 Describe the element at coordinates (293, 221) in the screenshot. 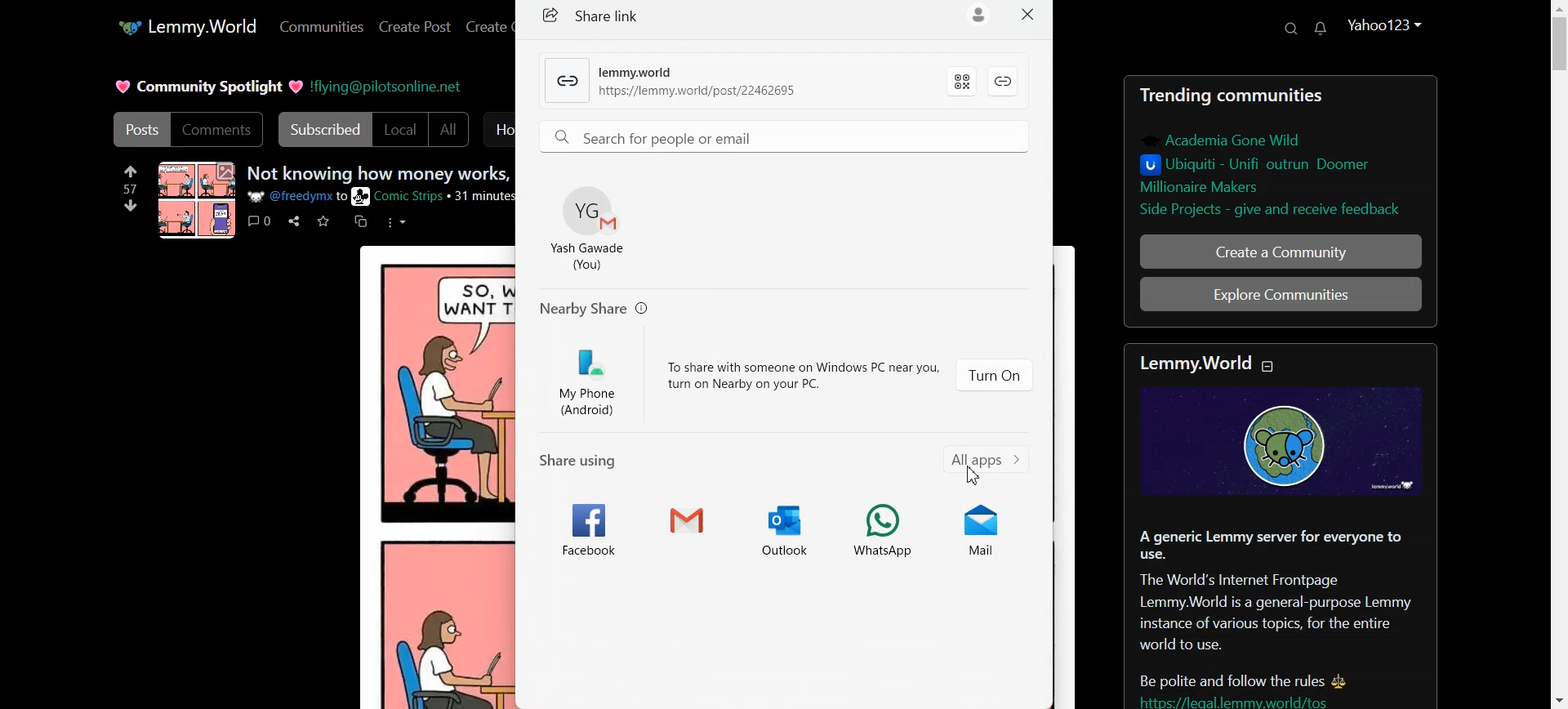

I see `Share` at that location.